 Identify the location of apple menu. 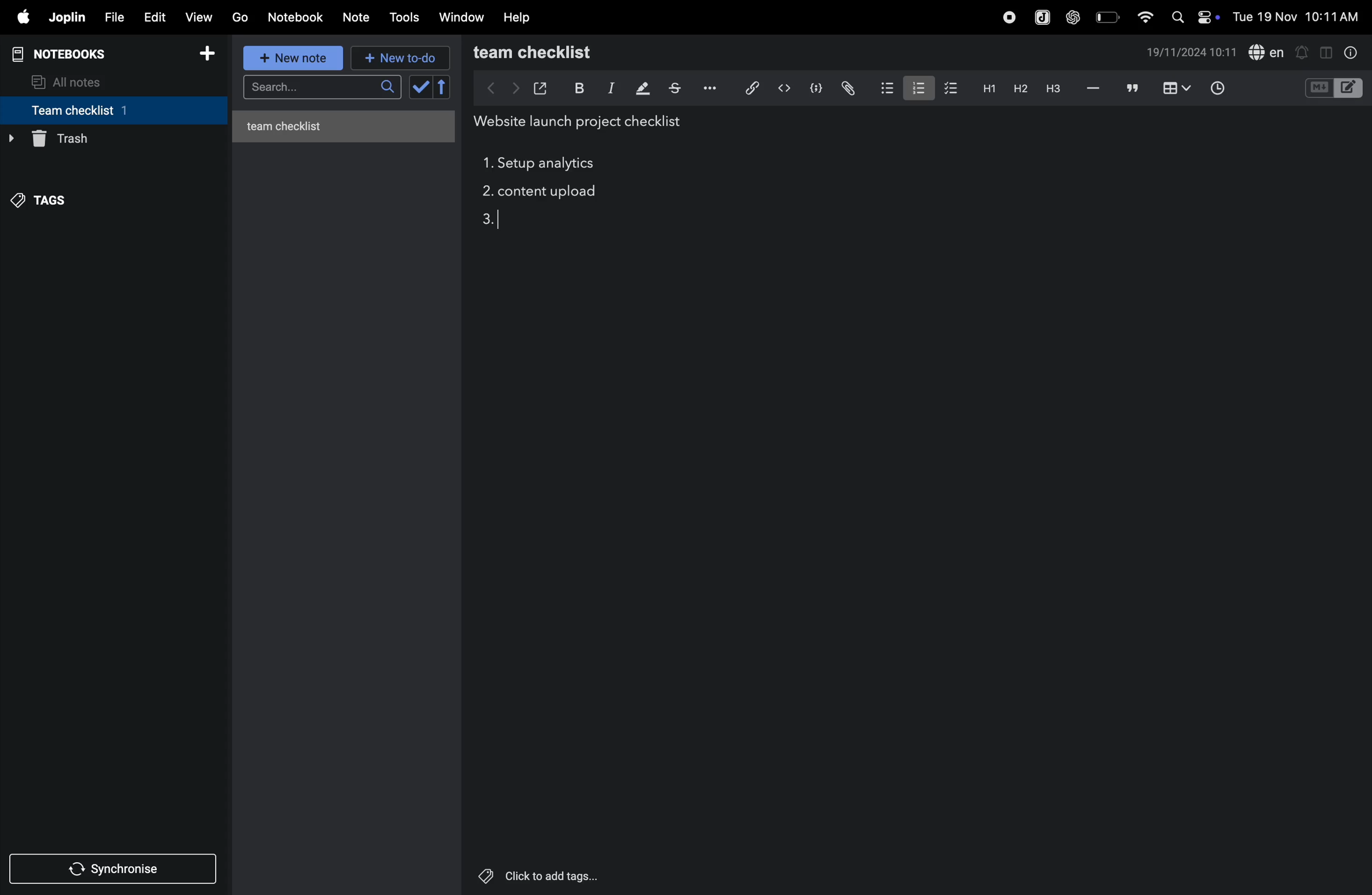
(22, 18).